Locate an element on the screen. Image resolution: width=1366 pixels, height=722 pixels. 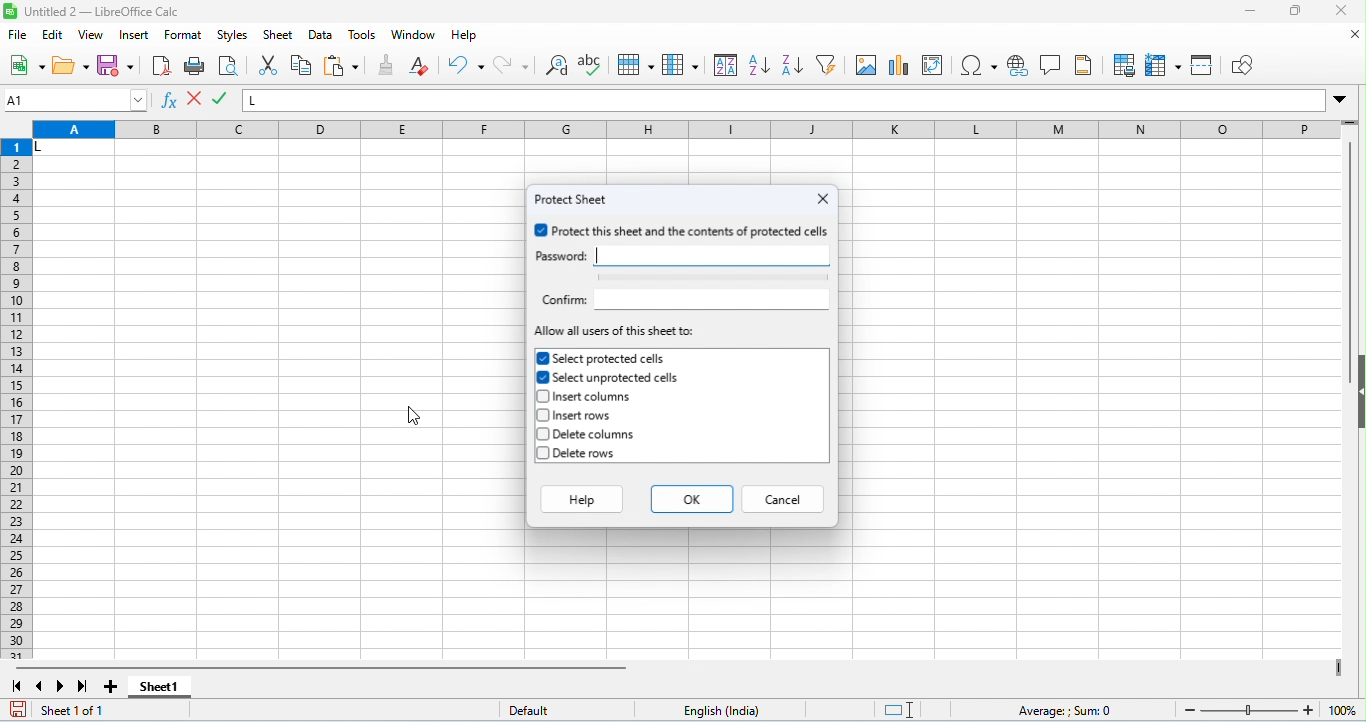
next is located at coordinates (61, 686).